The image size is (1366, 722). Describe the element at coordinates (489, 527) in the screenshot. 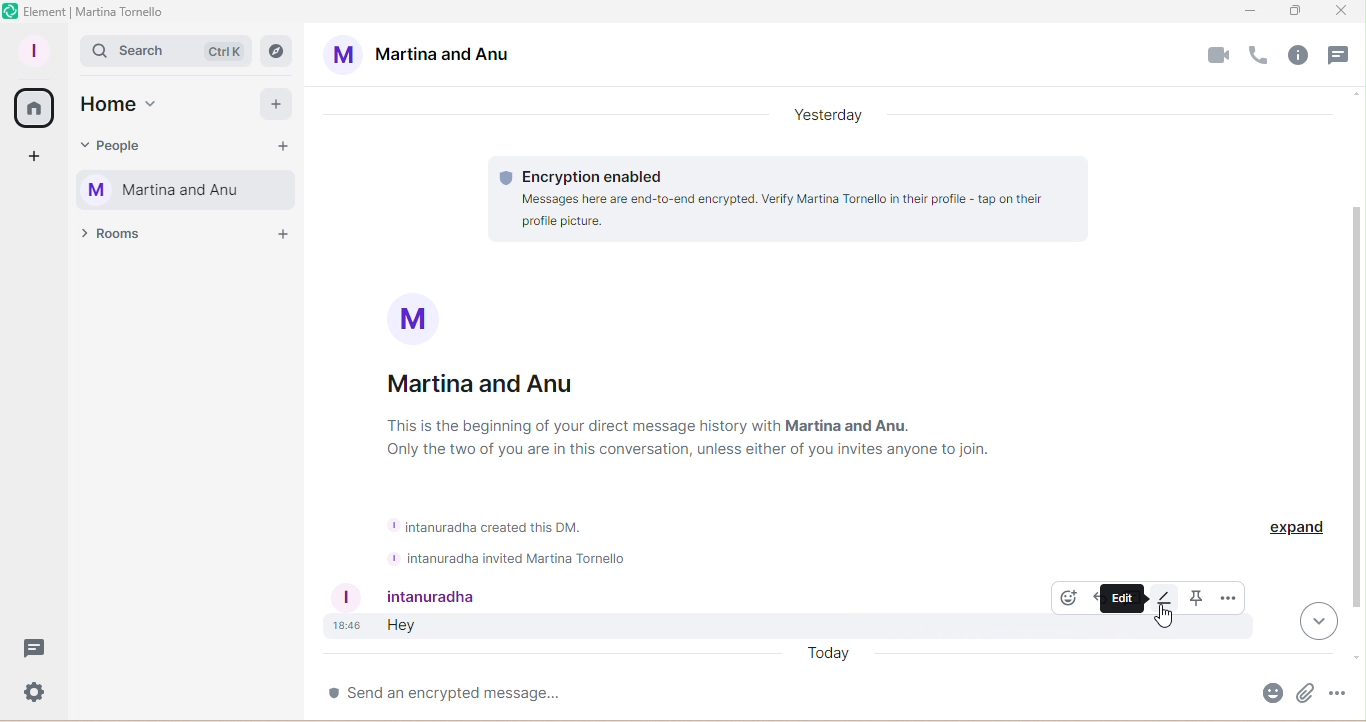

I see `intanuradha created this DM.` at that location.